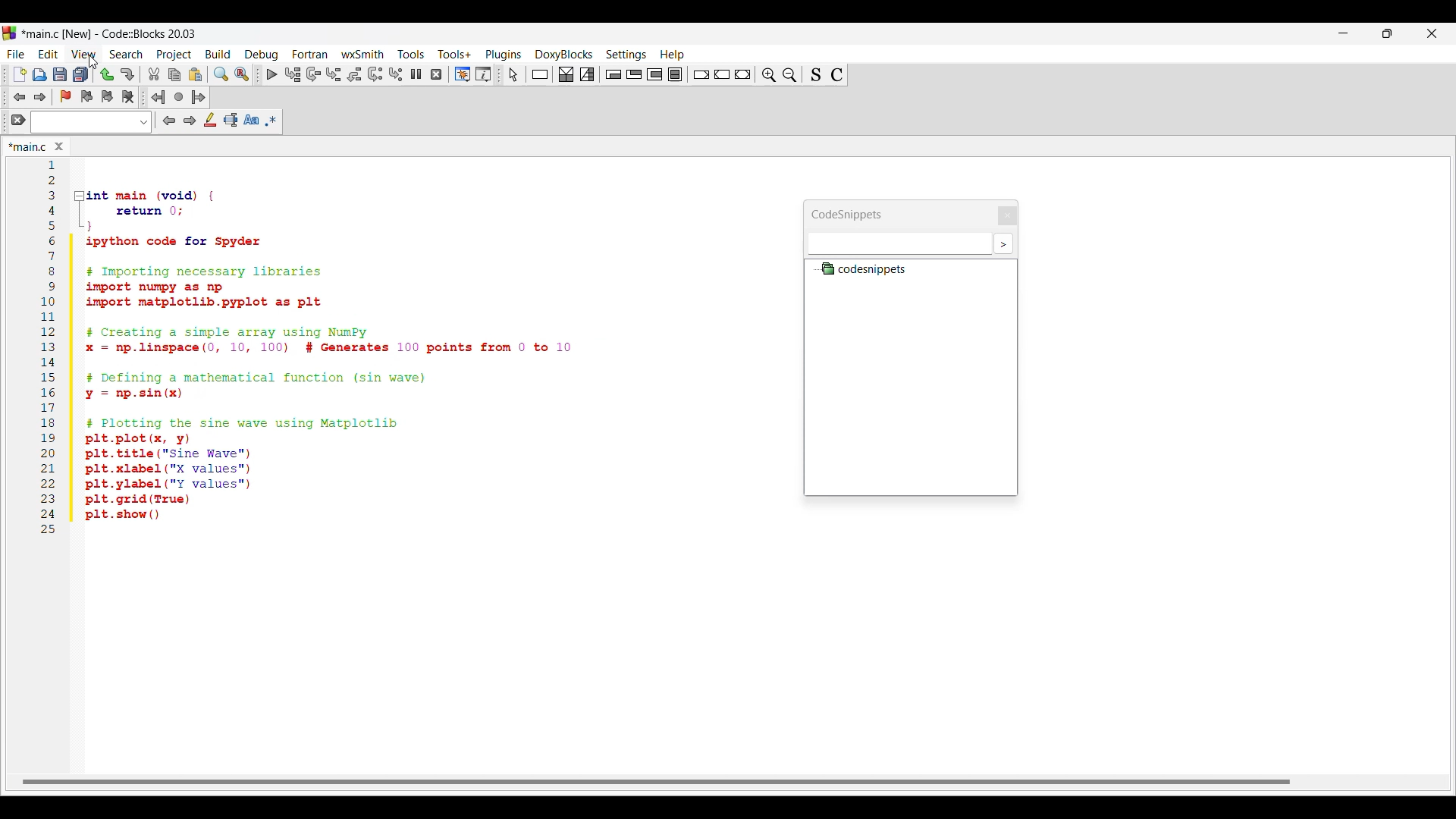  Describe the element at coordinates (81, 74) in the screenshot. I see `Save everything` at that location.